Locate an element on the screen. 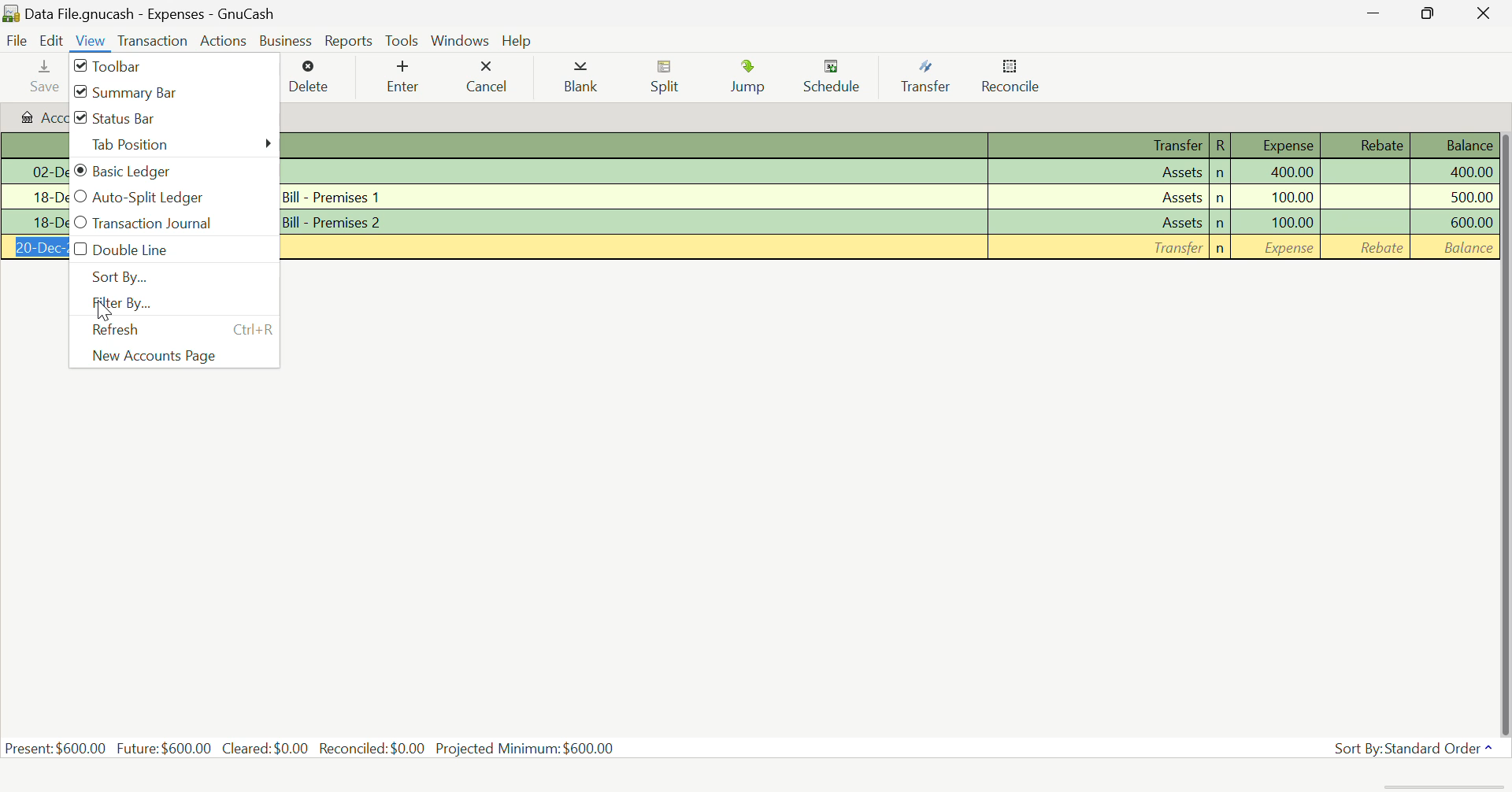  Data File.gnucash - Expenses - GnuCash is located at coordinates (141, 13).